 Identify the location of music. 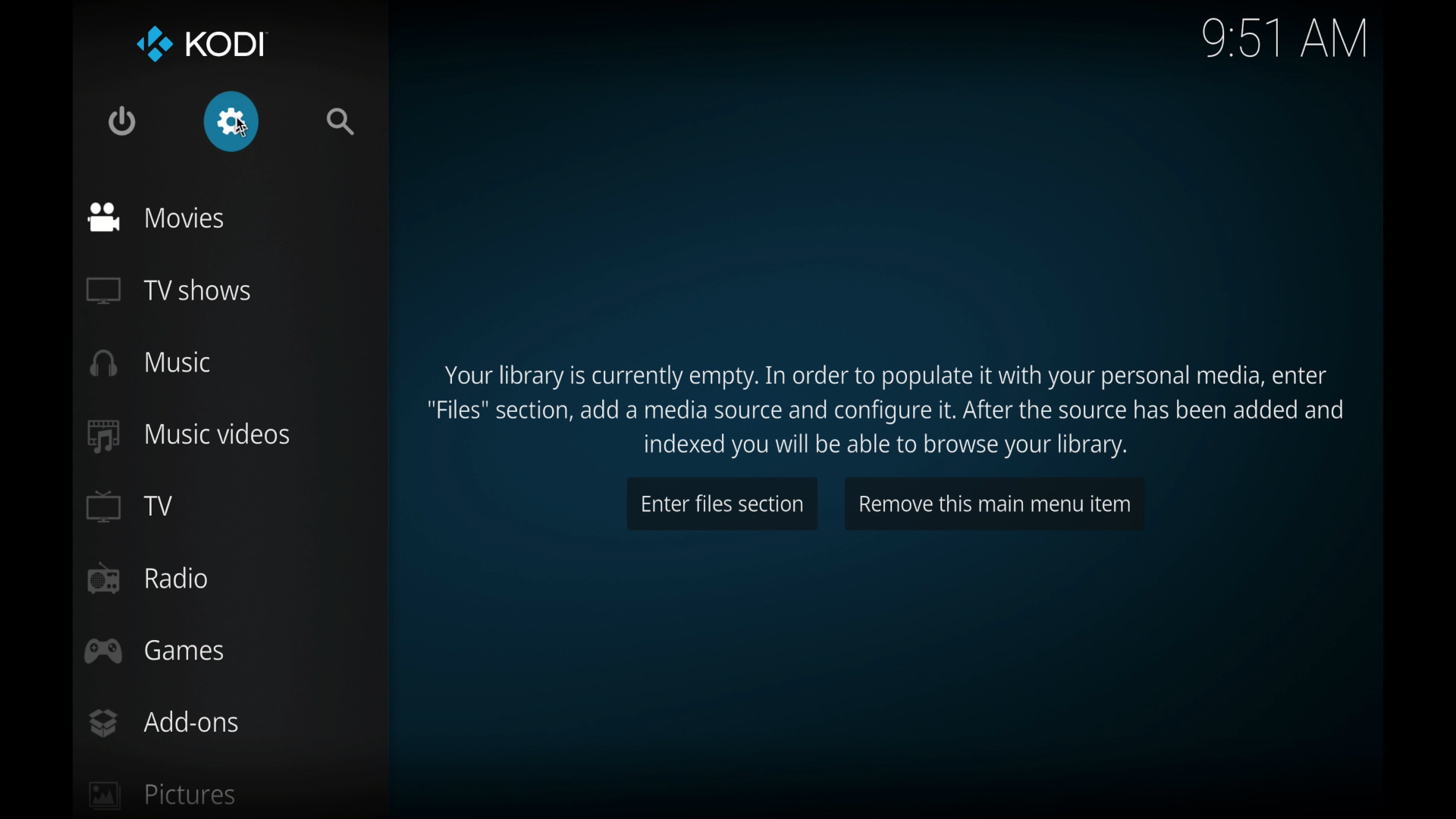
(153, 362).